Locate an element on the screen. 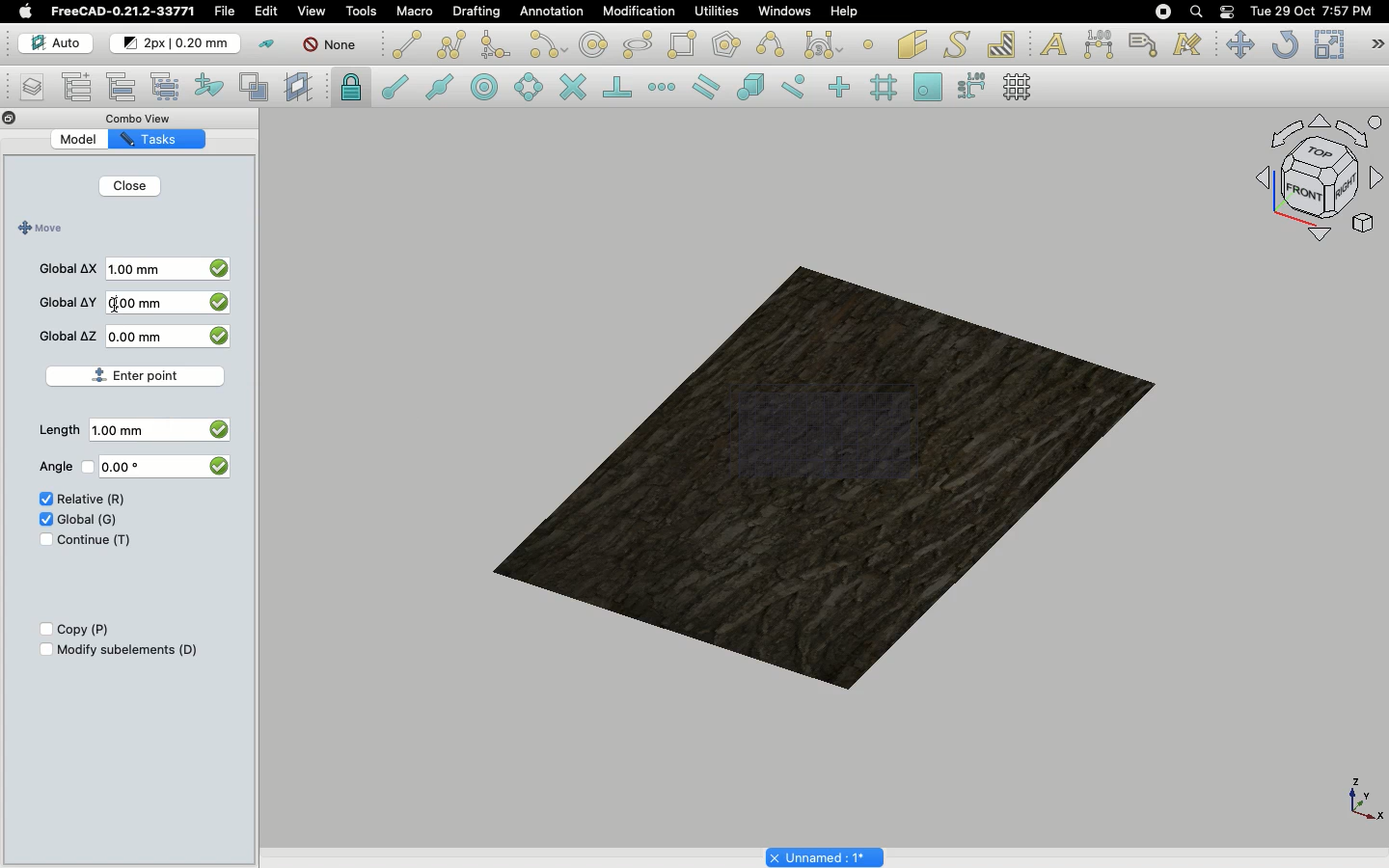 The image size is (1389, 868). 0.00 is located at coordinates (136, 467).